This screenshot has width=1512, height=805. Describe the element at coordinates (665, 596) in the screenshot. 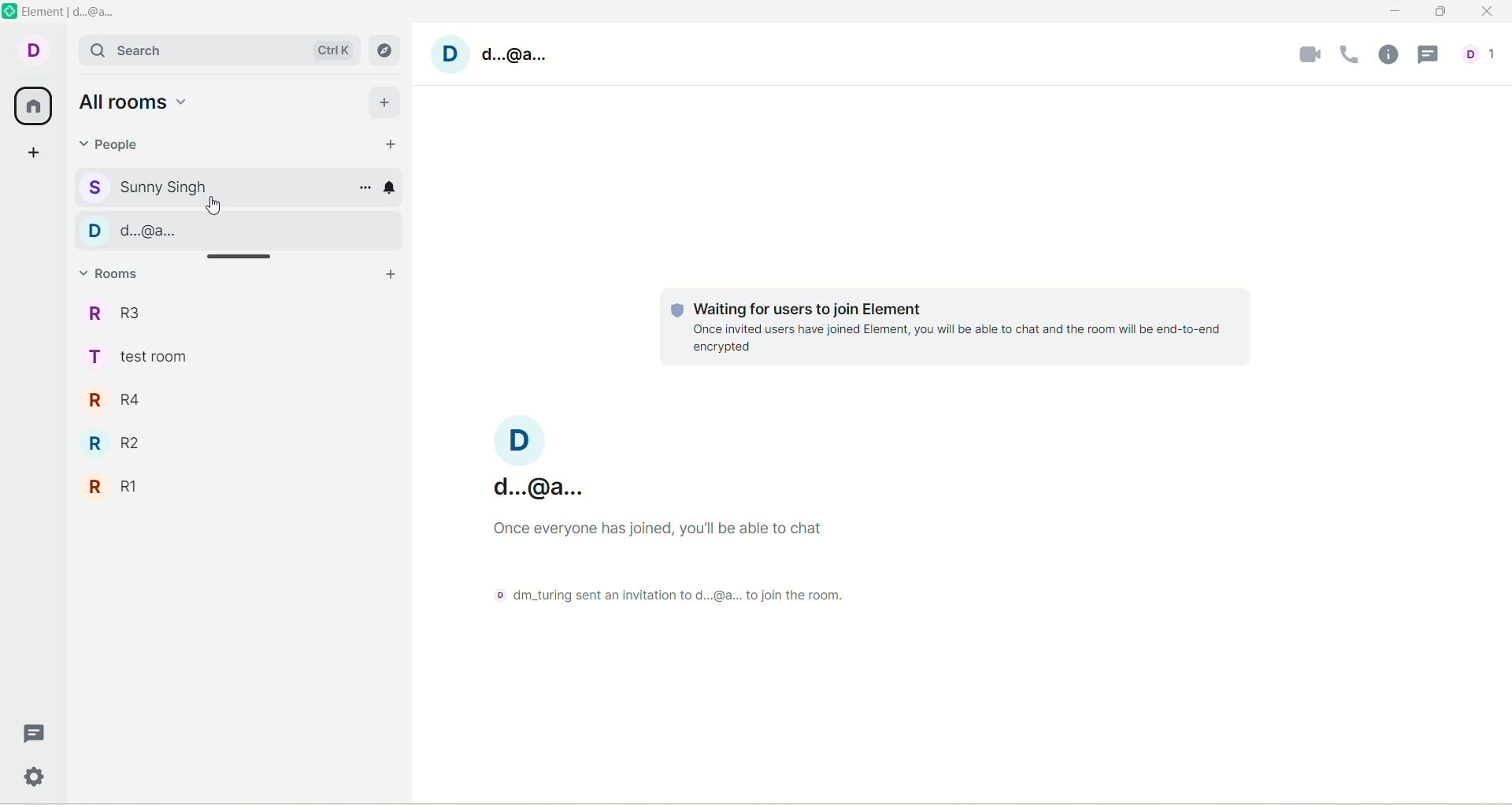

I see `text` at that location.